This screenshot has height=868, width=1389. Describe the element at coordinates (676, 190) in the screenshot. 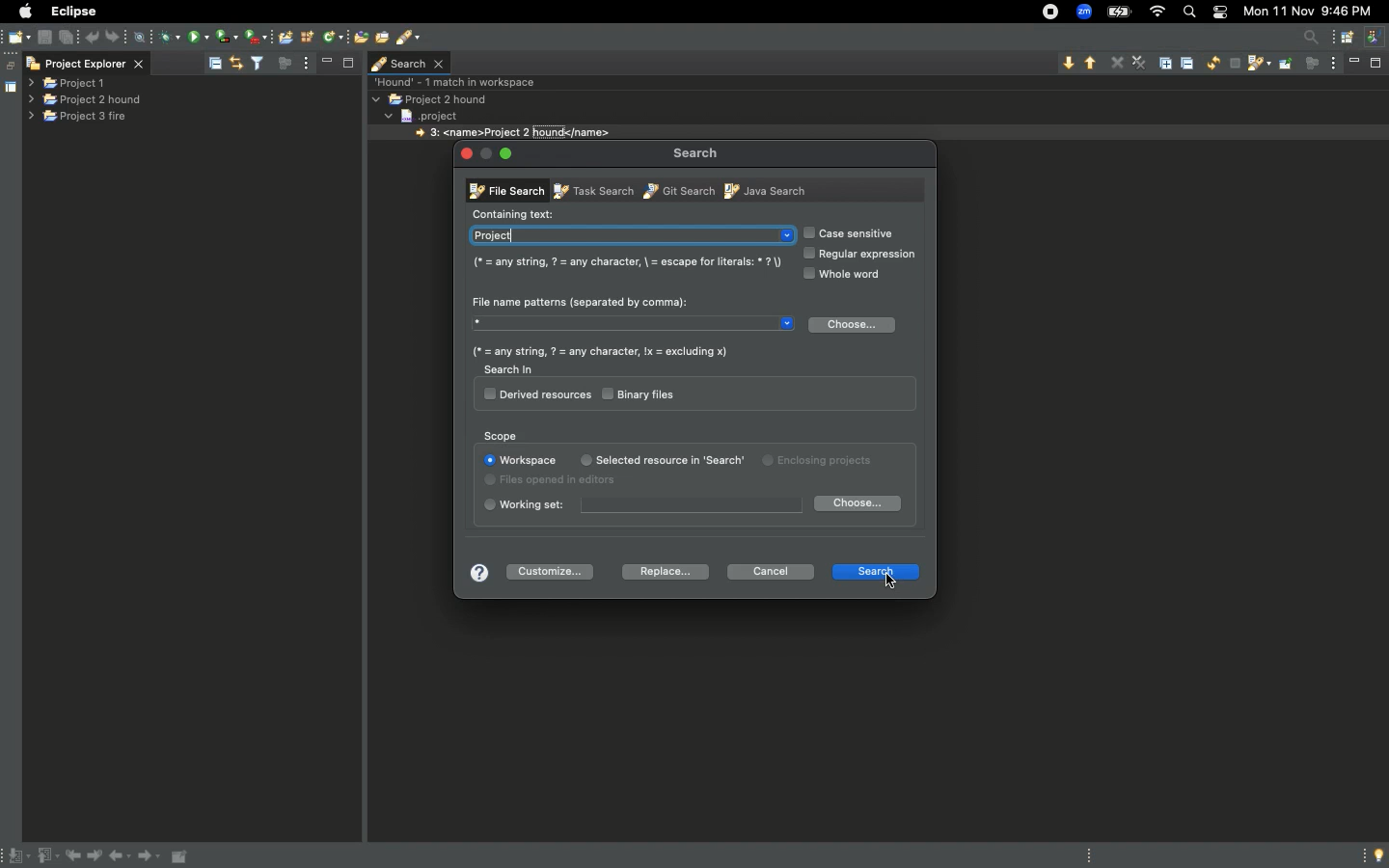

I see `Git search` at that location.